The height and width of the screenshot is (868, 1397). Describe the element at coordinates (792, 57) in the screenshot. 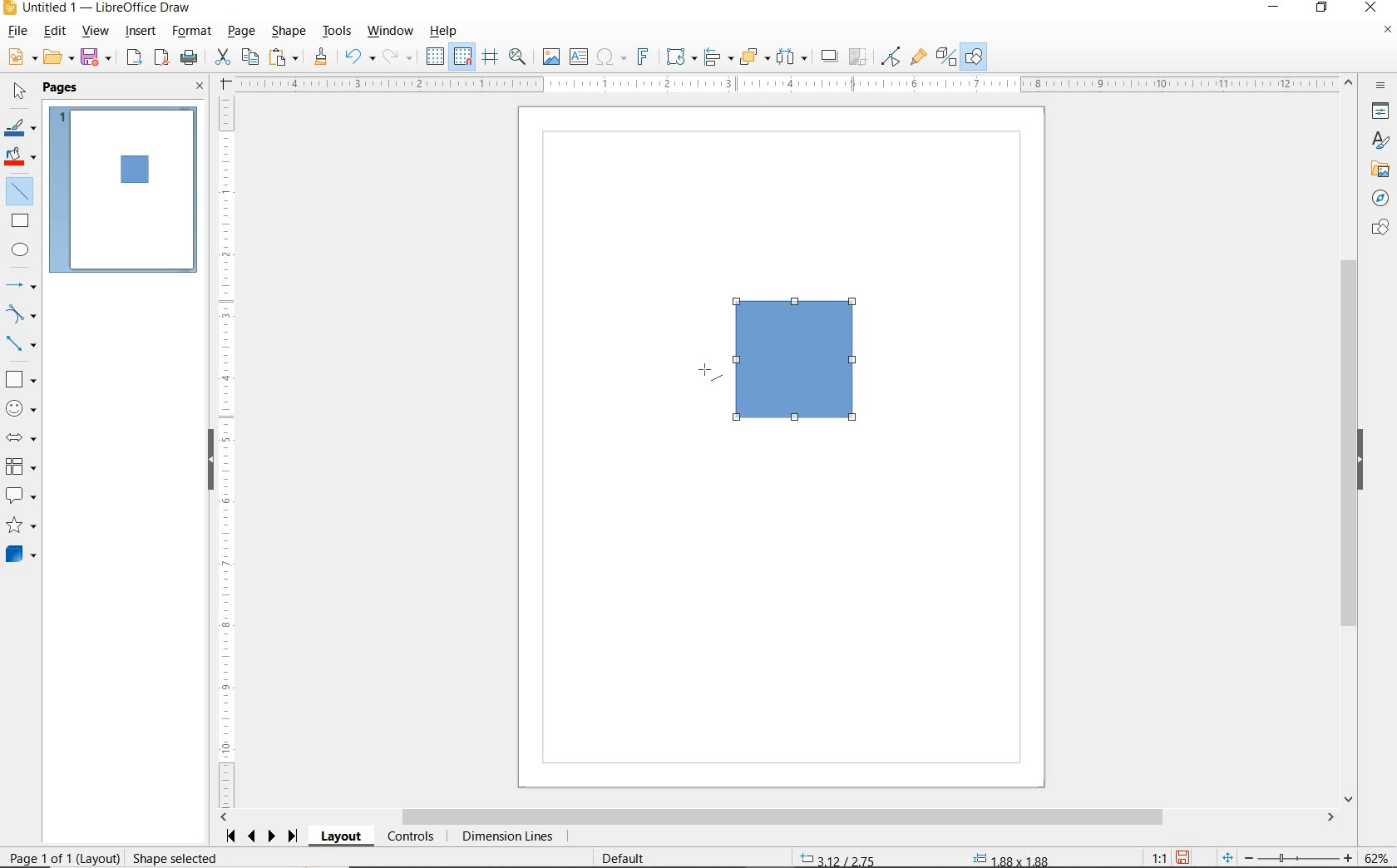

I see `SELECT AT LEAST THREE OBJECTS TO DISTRIBUTE` at that location.